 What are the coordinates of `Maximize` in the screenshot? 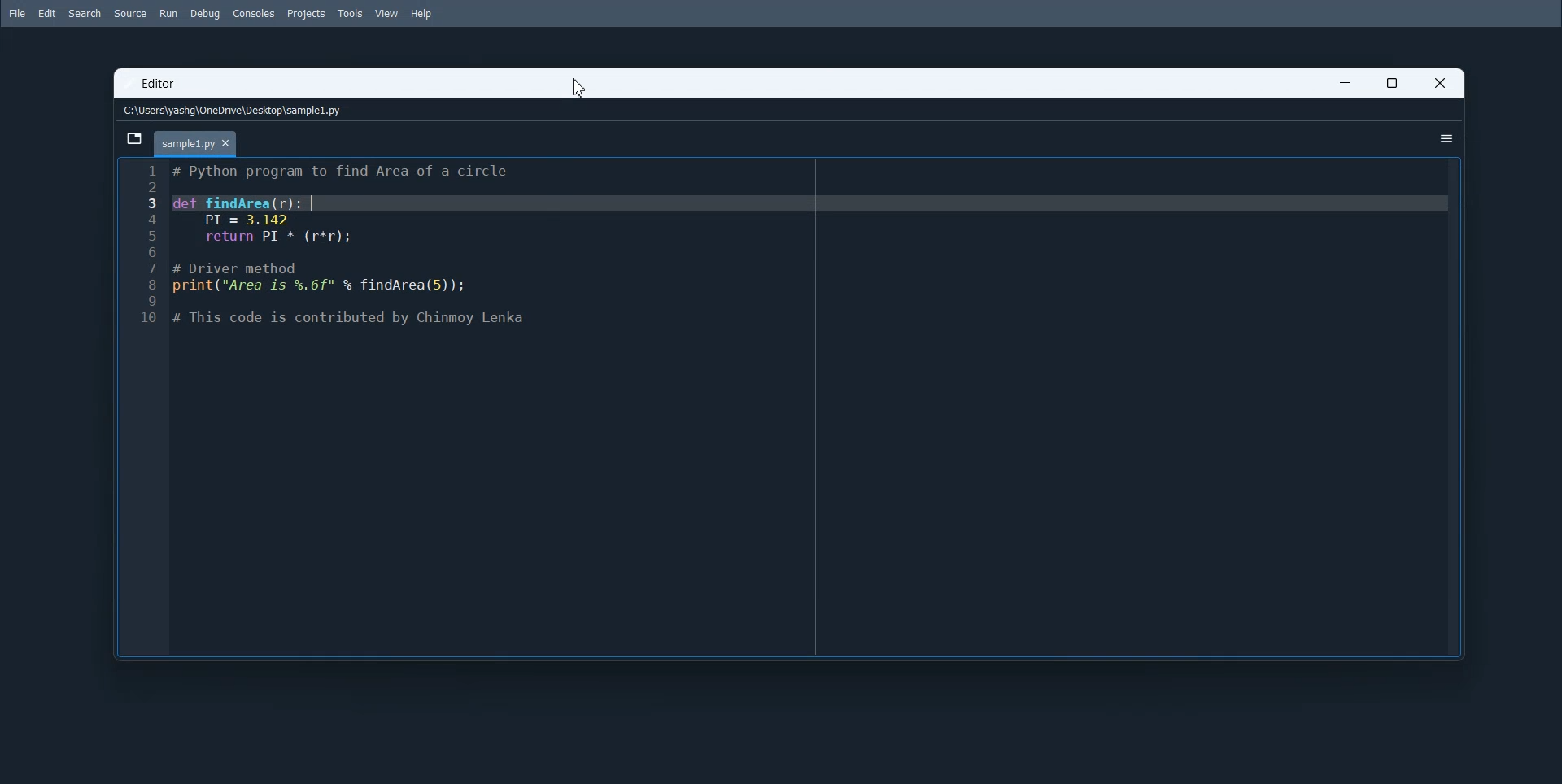 It's located at (1391, 82).